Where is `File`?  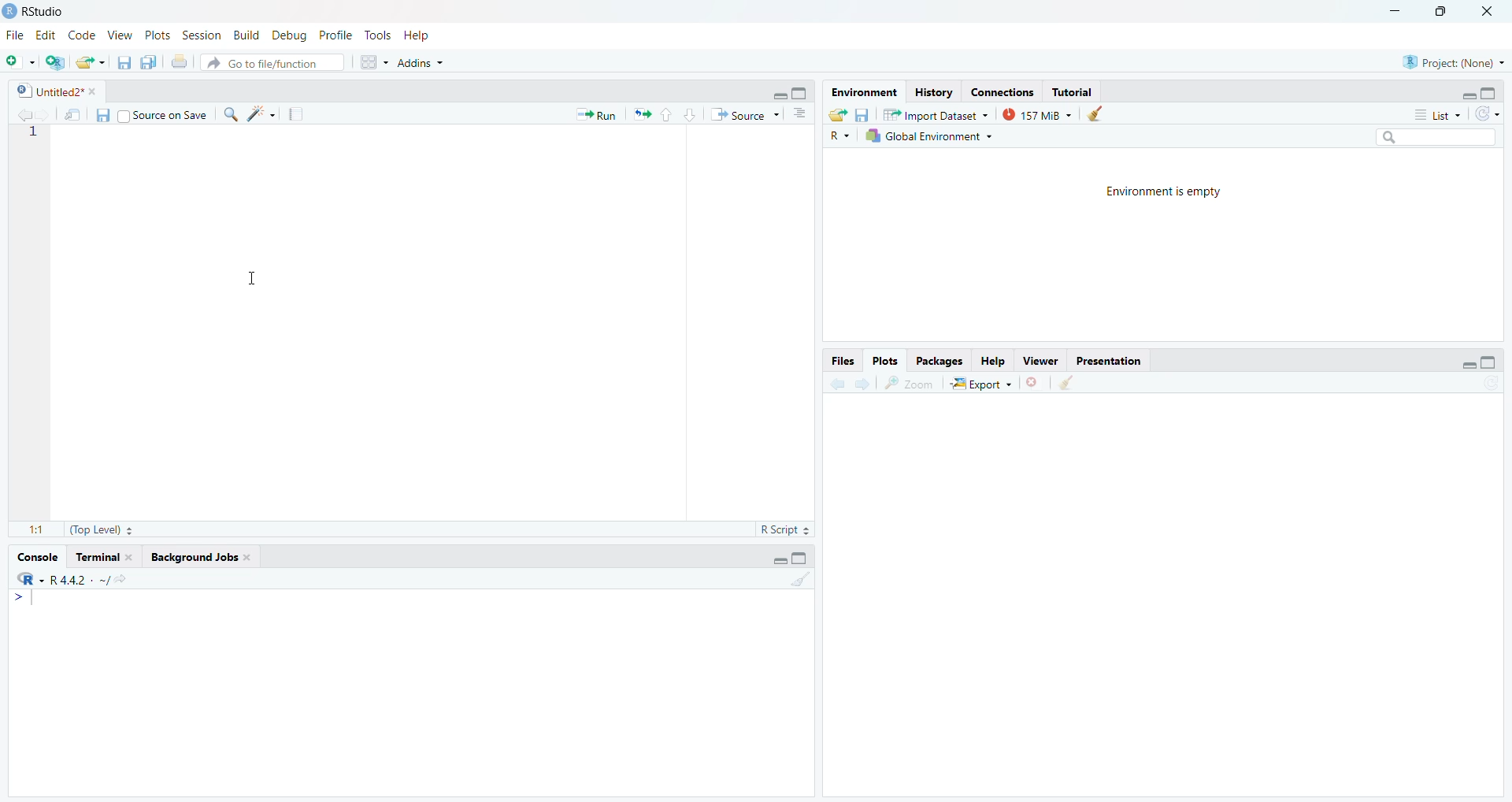 File is located at coordinates (14, 33).